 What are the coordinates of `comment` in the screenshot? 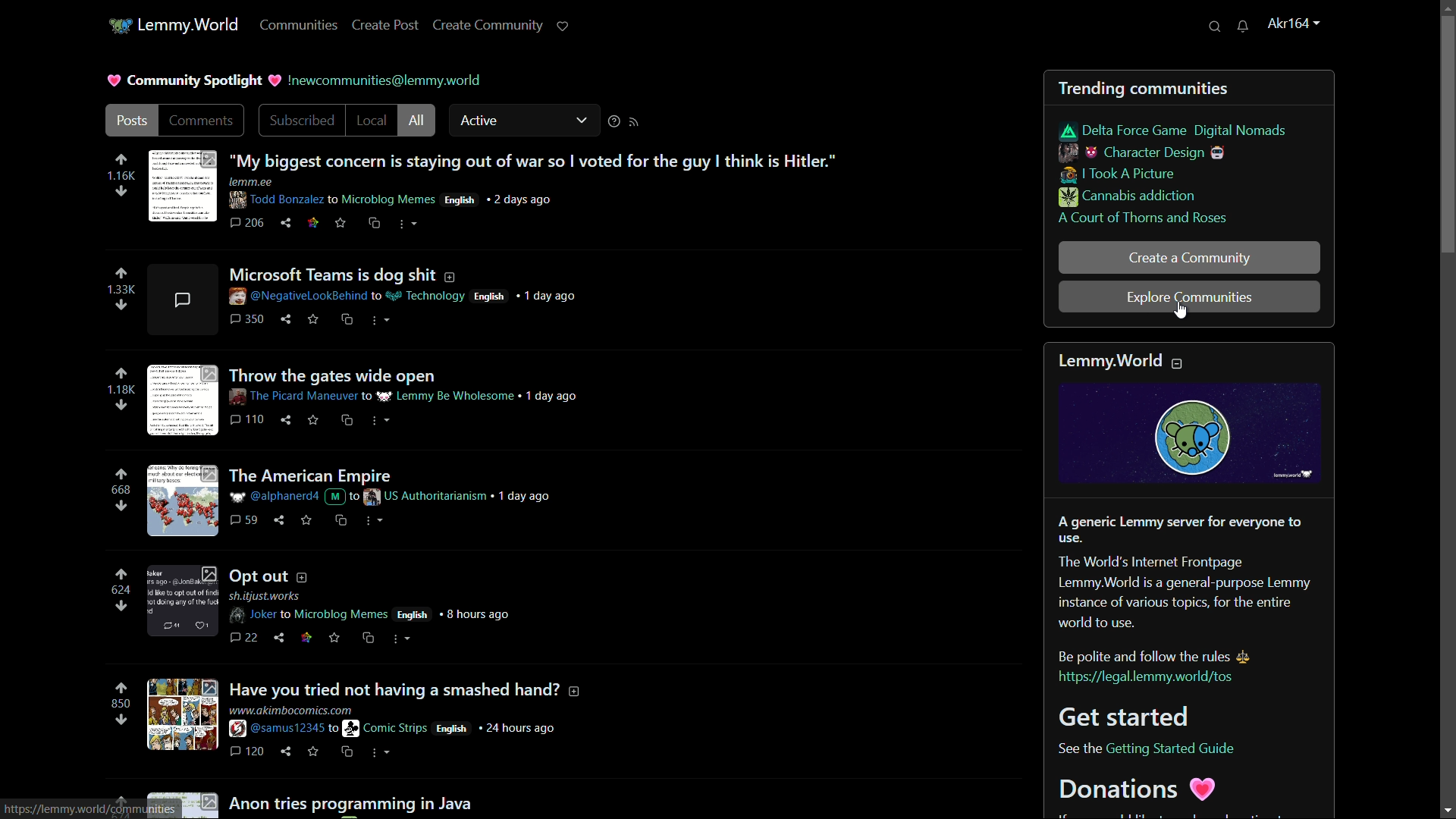 It's located at (180, 301).